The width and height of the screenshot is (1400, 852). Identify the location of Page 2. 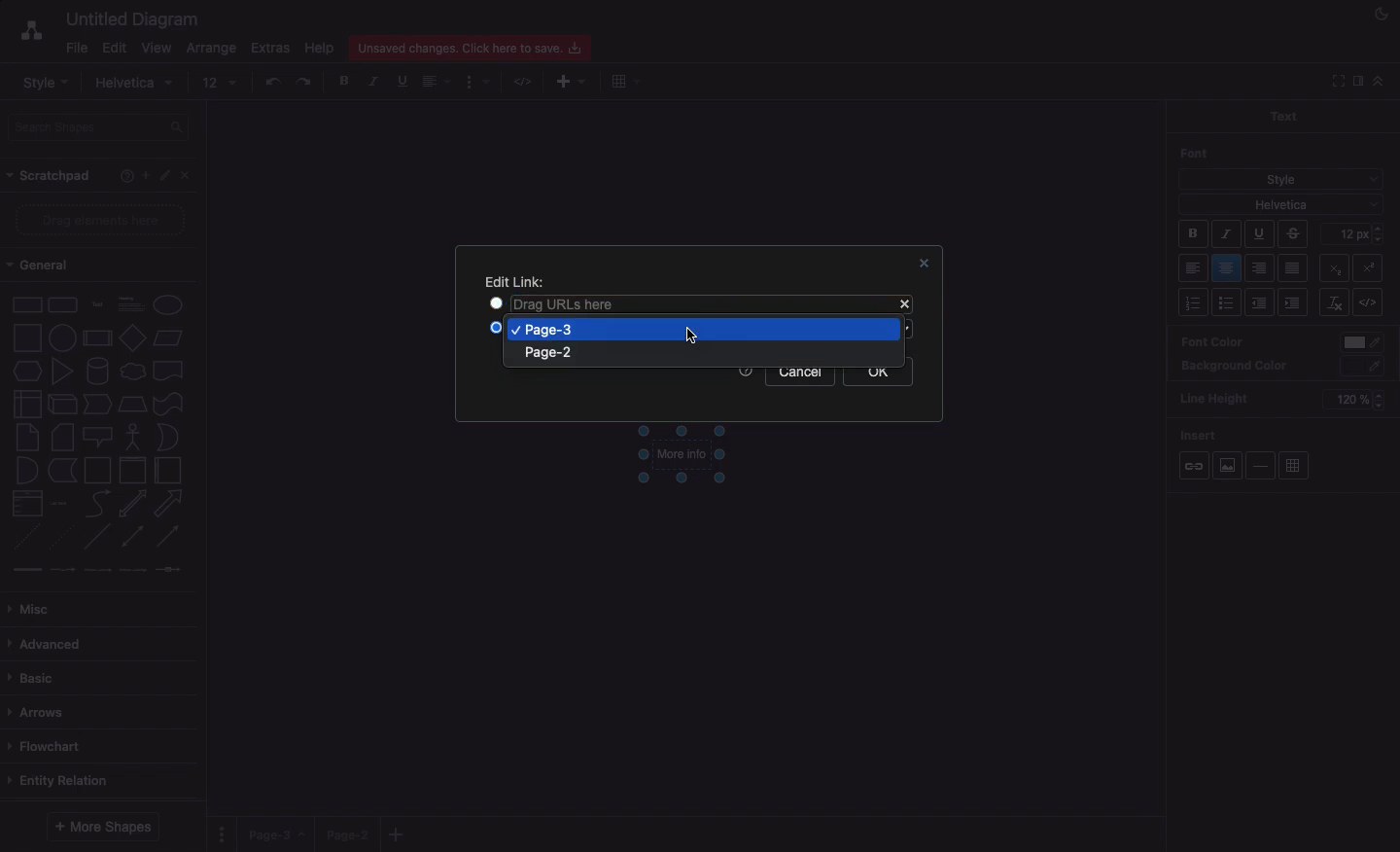
(345, 834).